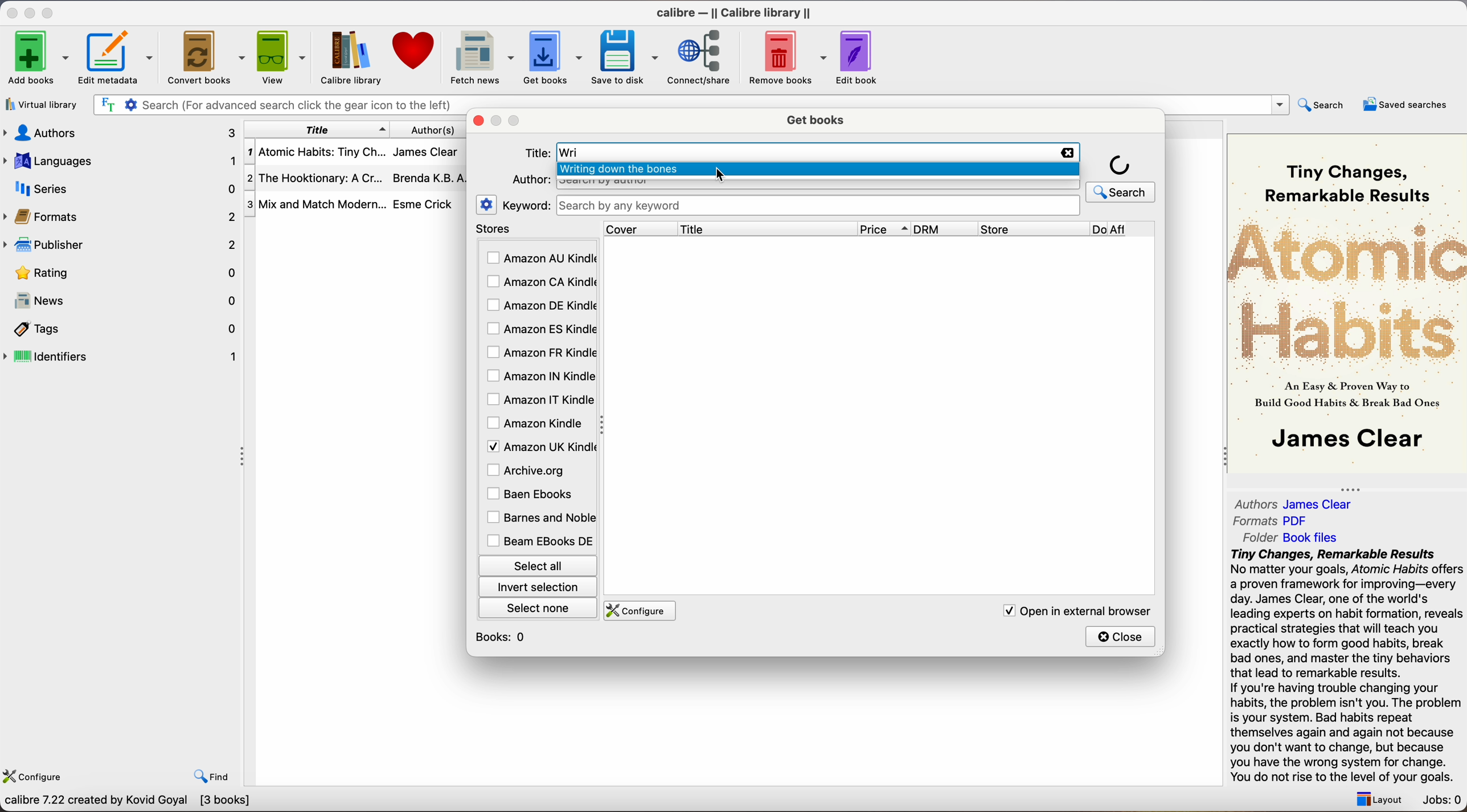  I want to click on James Clear, so click(425, 150).